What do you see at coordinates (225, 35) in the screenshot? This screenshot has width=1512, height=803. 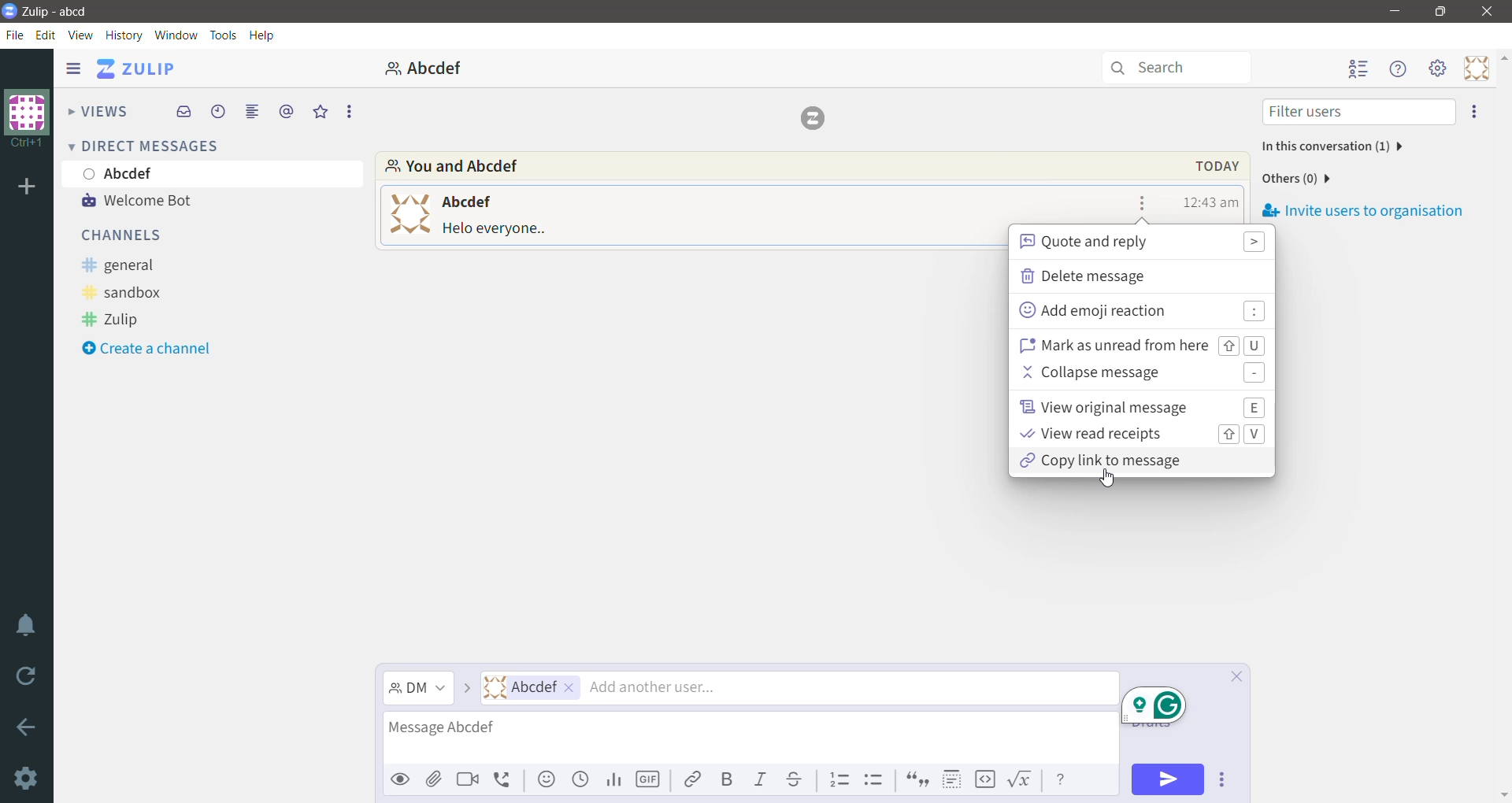 I see `Tools` at bounding box center [225, 35].